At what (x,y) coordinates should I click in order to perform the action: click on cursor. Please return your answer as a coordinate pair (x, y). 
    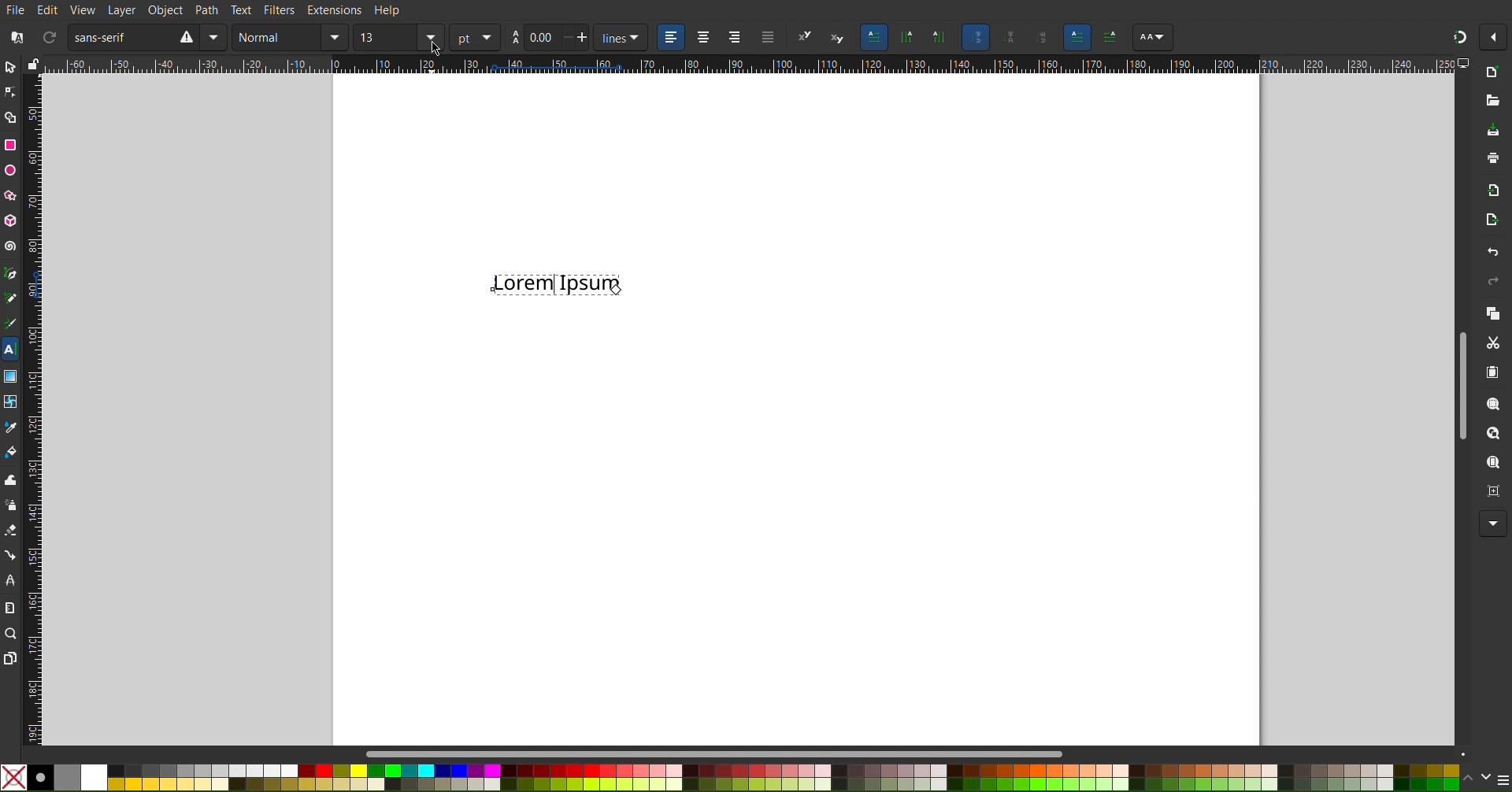
    Looking at the image, I should click on (437, 47).